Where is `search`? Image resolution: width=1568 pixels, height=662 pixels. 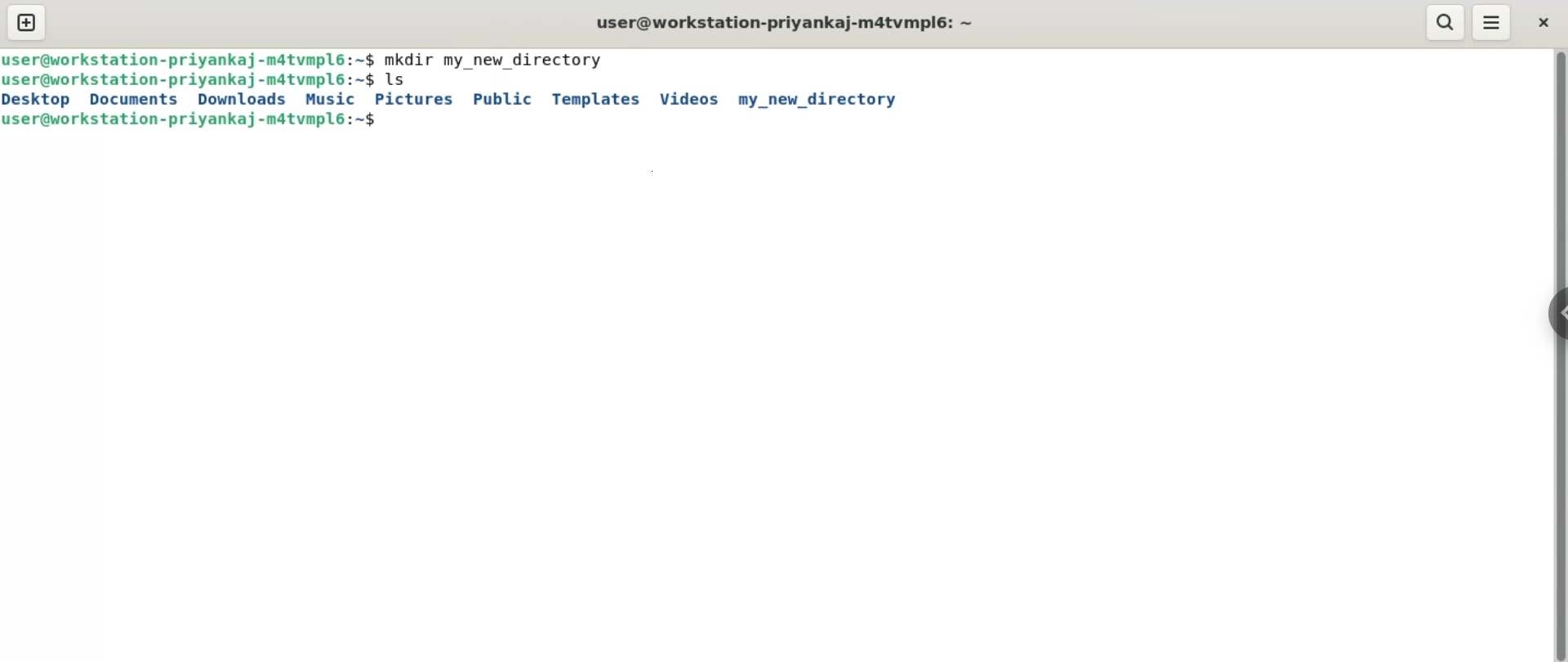
search is located at coordinates (1445, 22).